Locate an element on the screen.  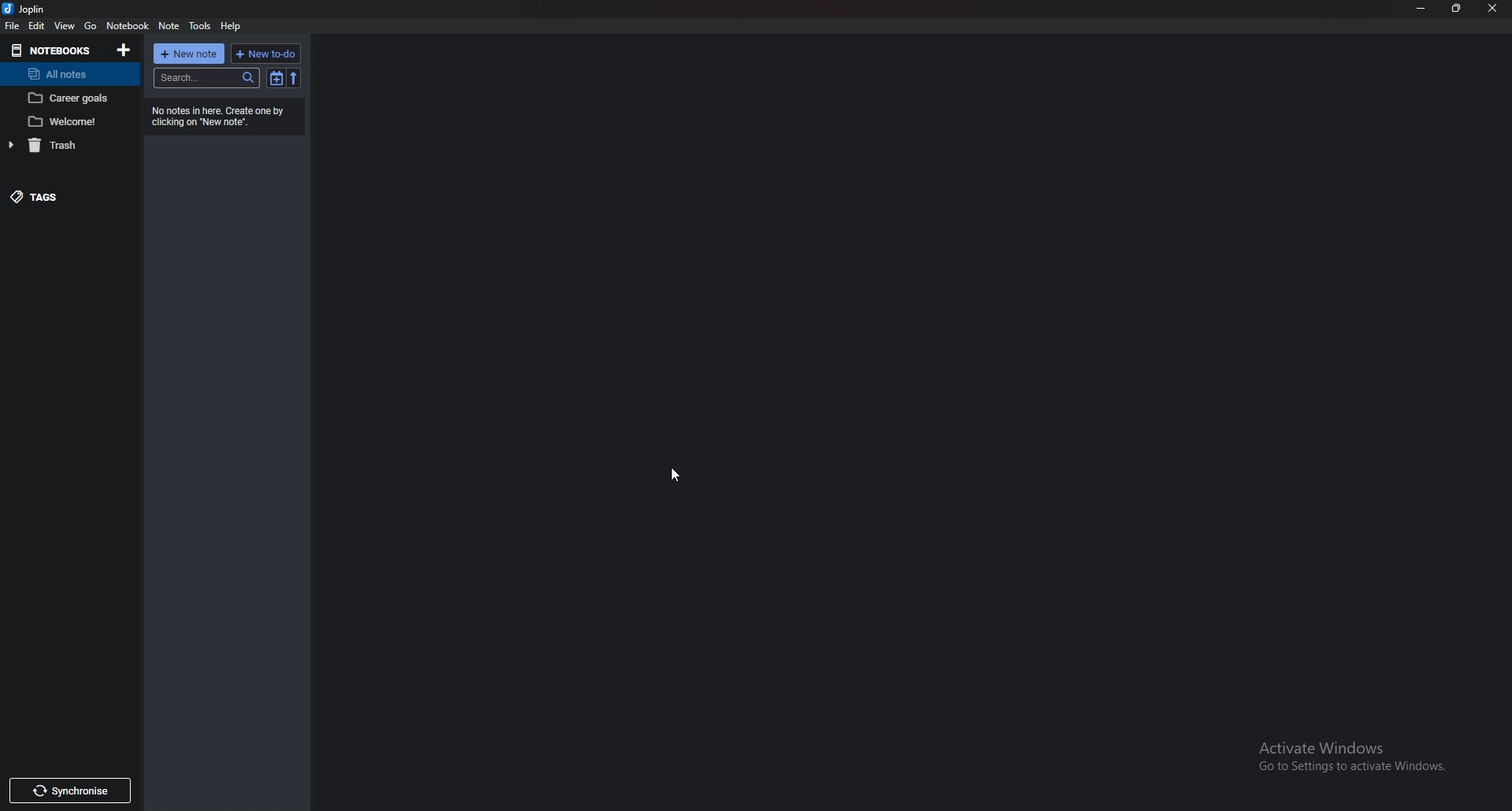
minimize is located at coordinates (1420, 9).